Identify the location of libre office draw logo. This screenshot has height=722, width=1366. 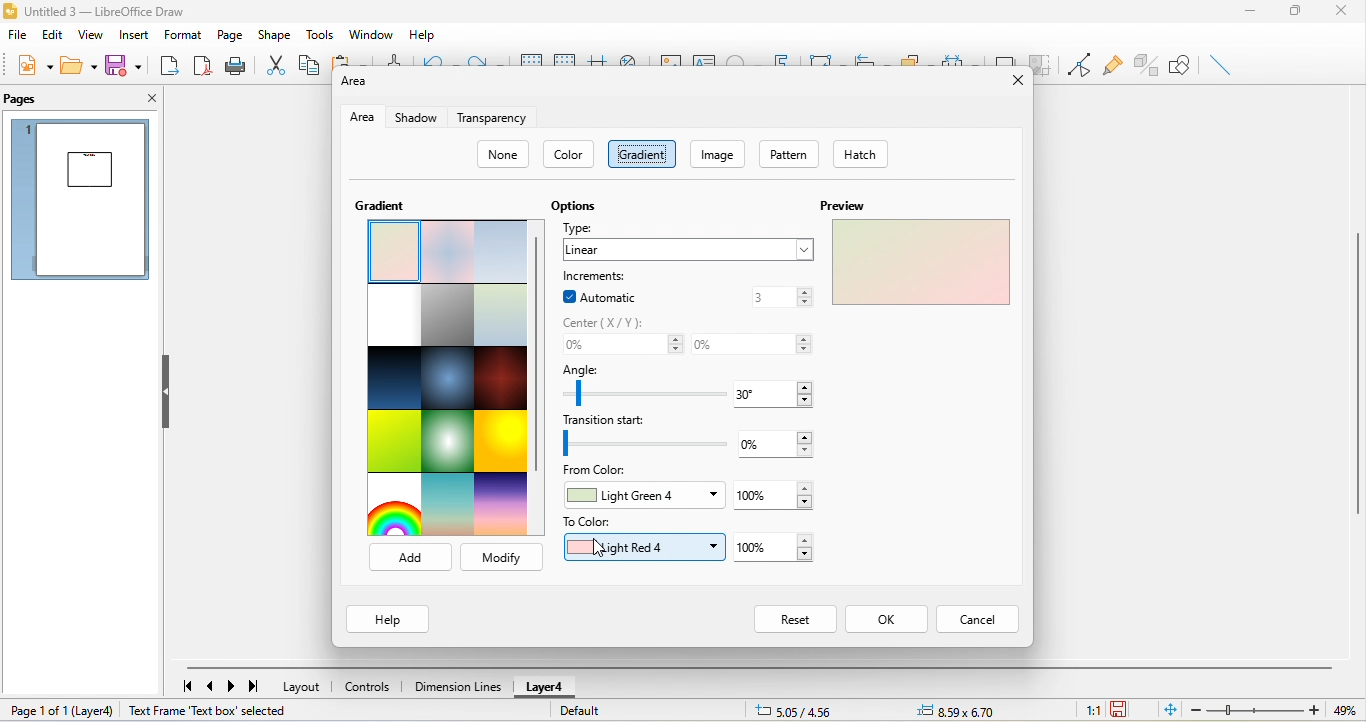
(11, 10).